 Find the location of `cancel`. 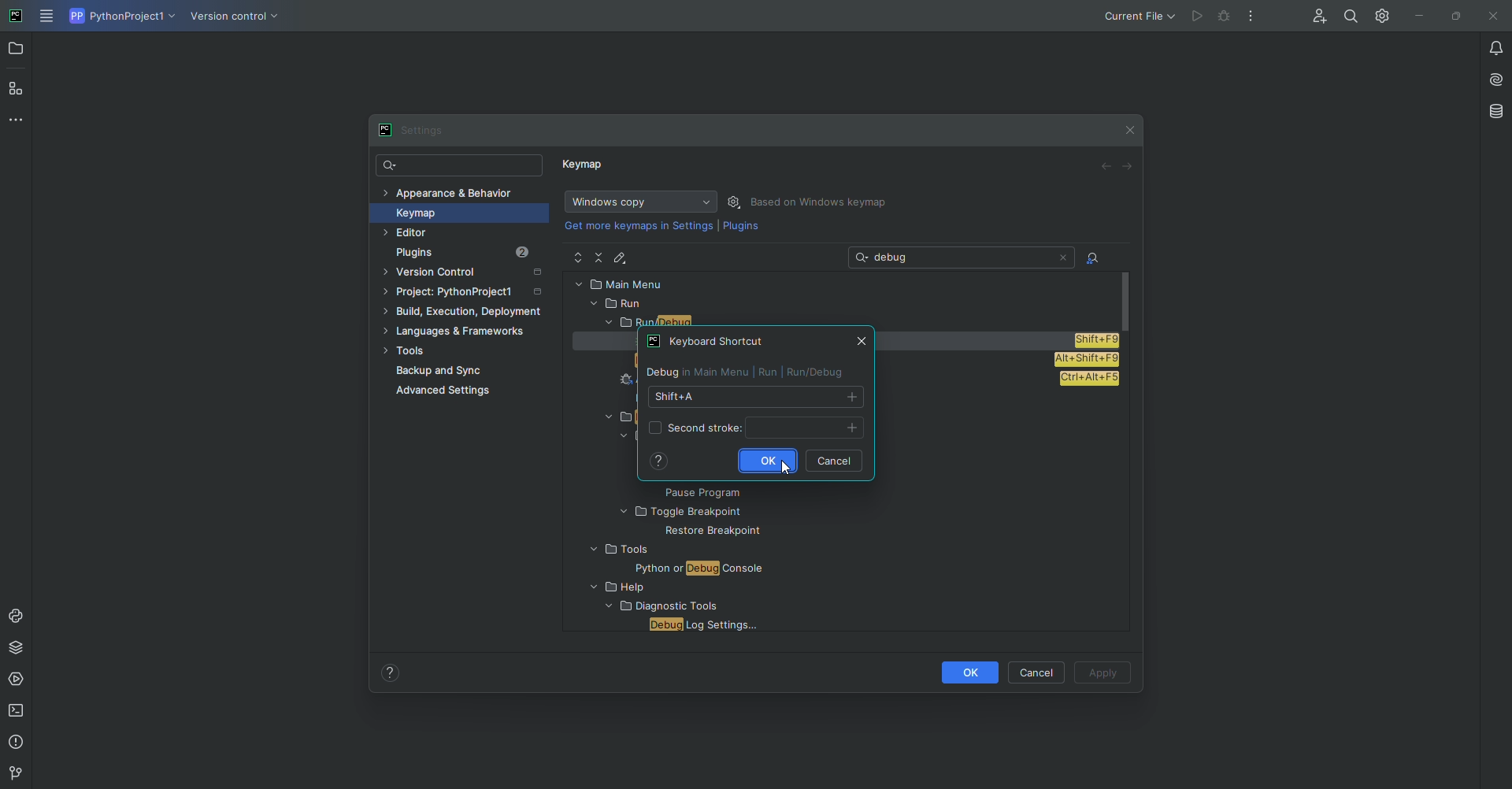

cancel is located at coordinates (835, 461).